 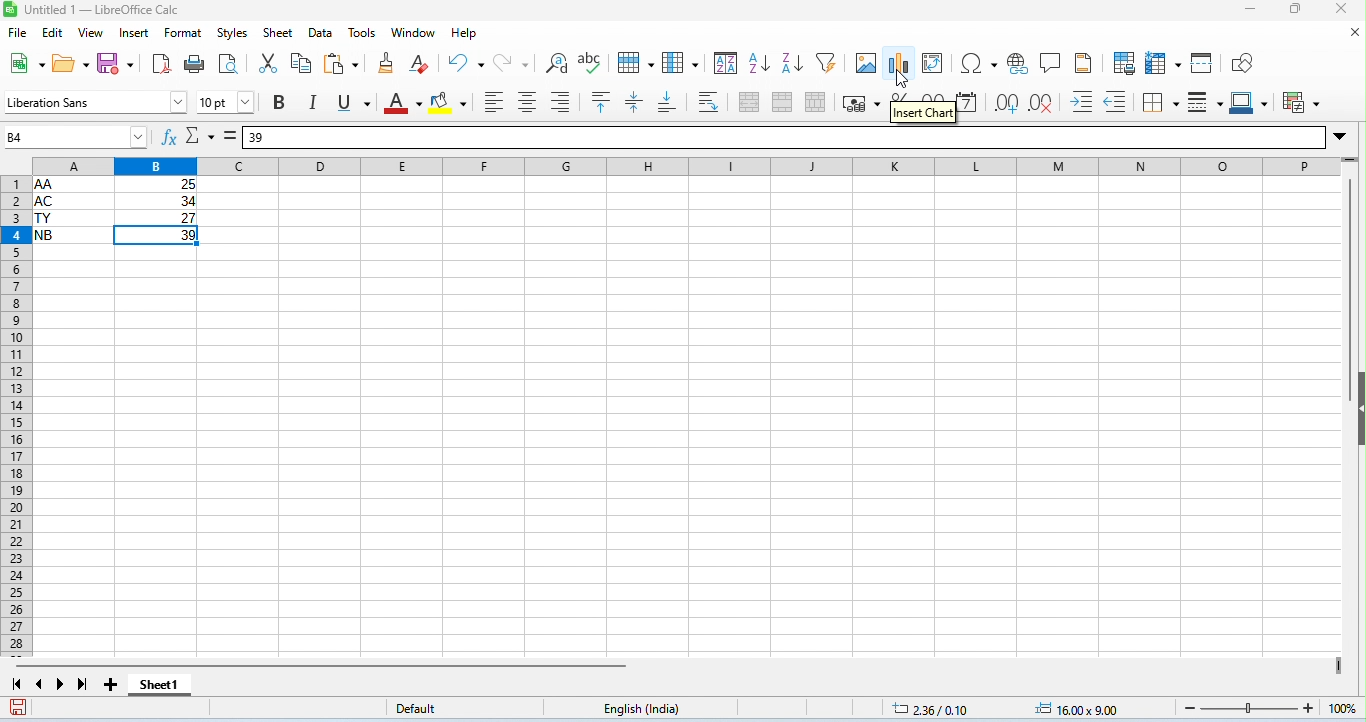 What do you see at coordinates (761, 64) in the screenshot?
I see `sort ascending` at bounding box center [761, 64].